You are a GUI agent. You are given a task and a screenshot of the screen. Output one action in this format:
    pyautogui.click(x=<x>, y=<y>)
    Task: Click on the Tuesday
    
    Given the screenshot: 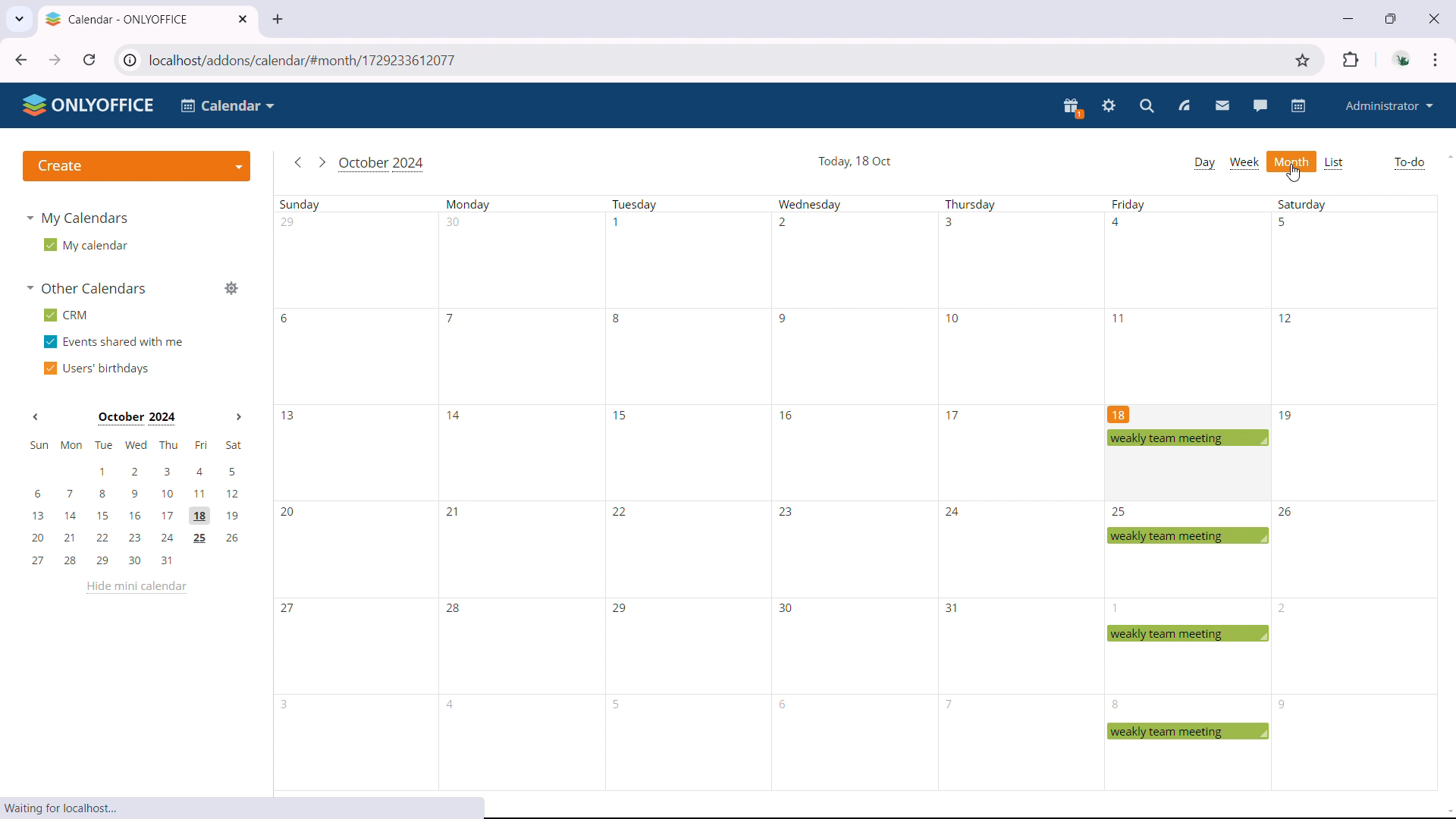 What is the action you would take?
    pyautogui.click(x=681, y=493)
    